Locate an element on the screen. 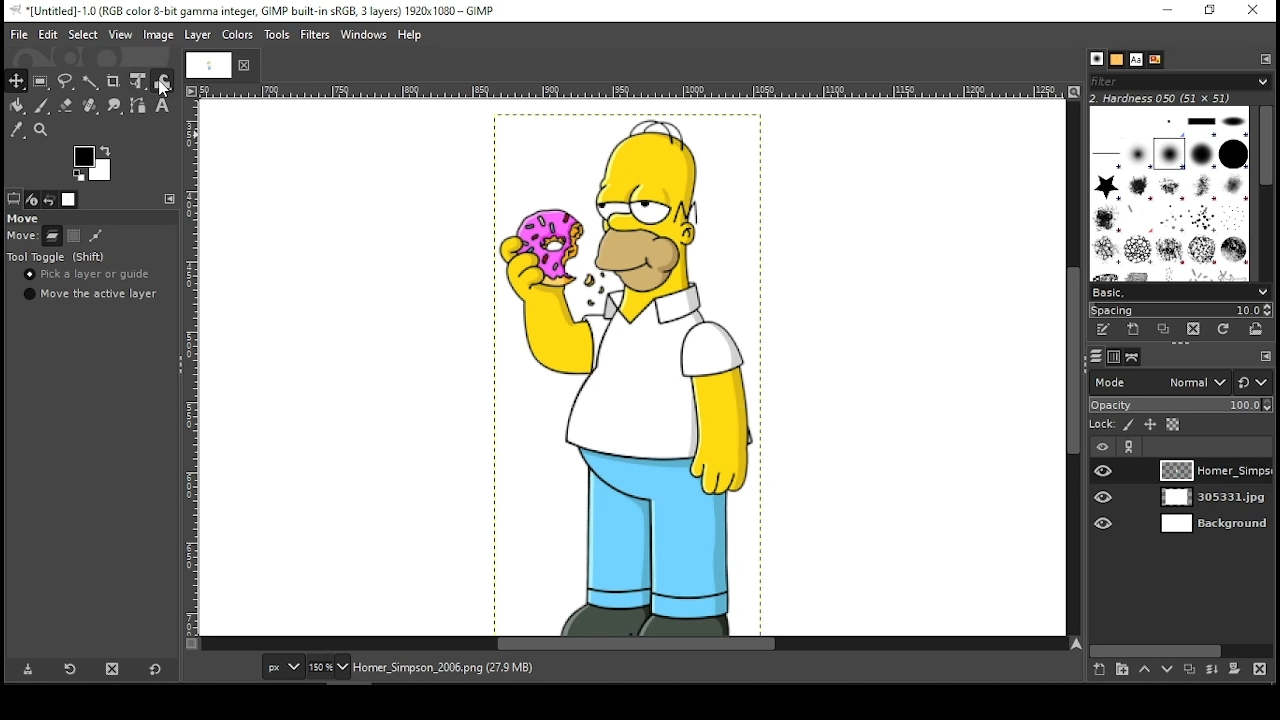 The image size is (1280, 720). move is located at coordinates (23, 236).